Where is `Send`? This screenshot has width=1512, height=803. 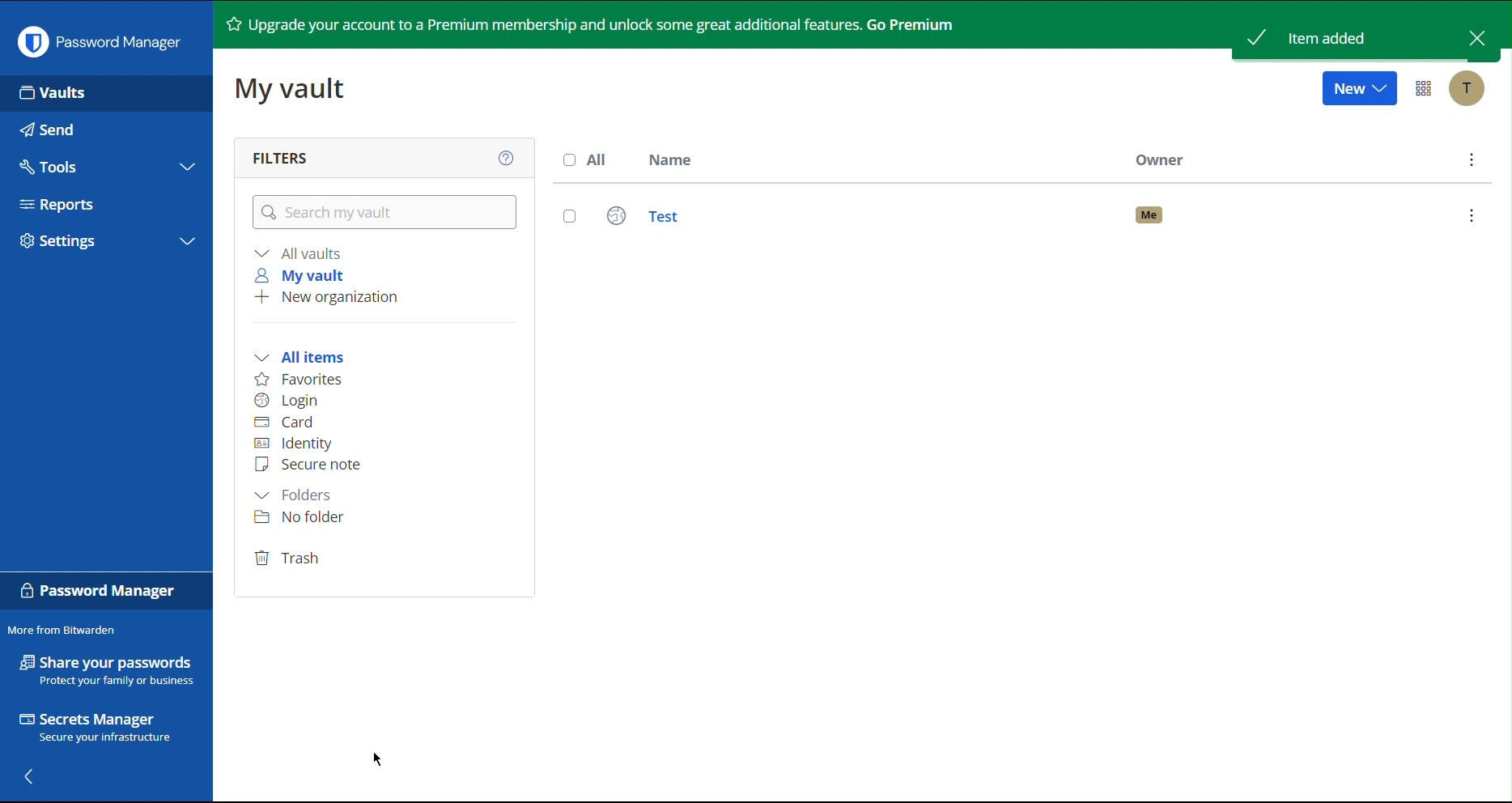
Send is located at coordinates (105, 127).